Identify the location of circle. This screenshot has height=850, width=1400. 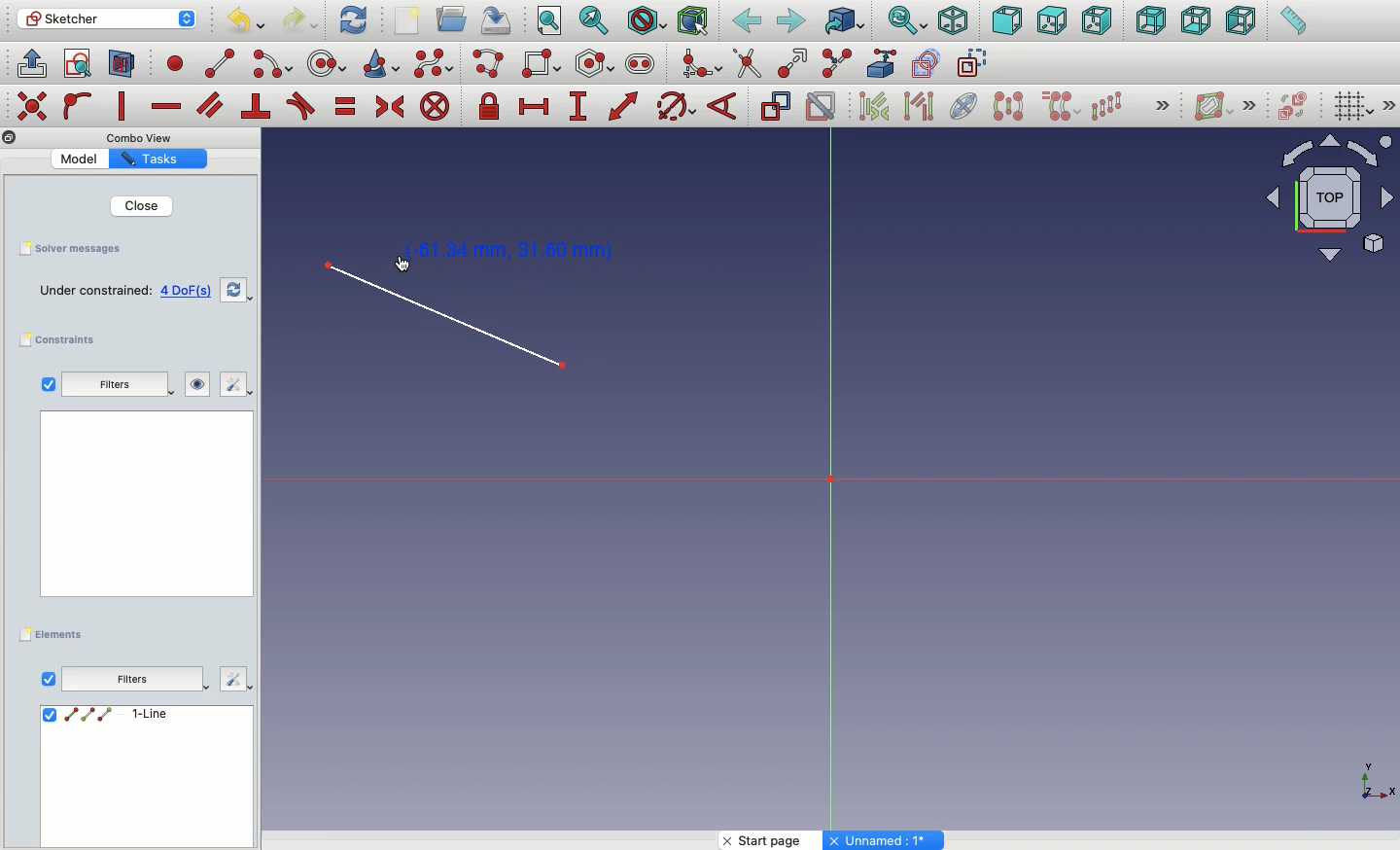
(328, 63).